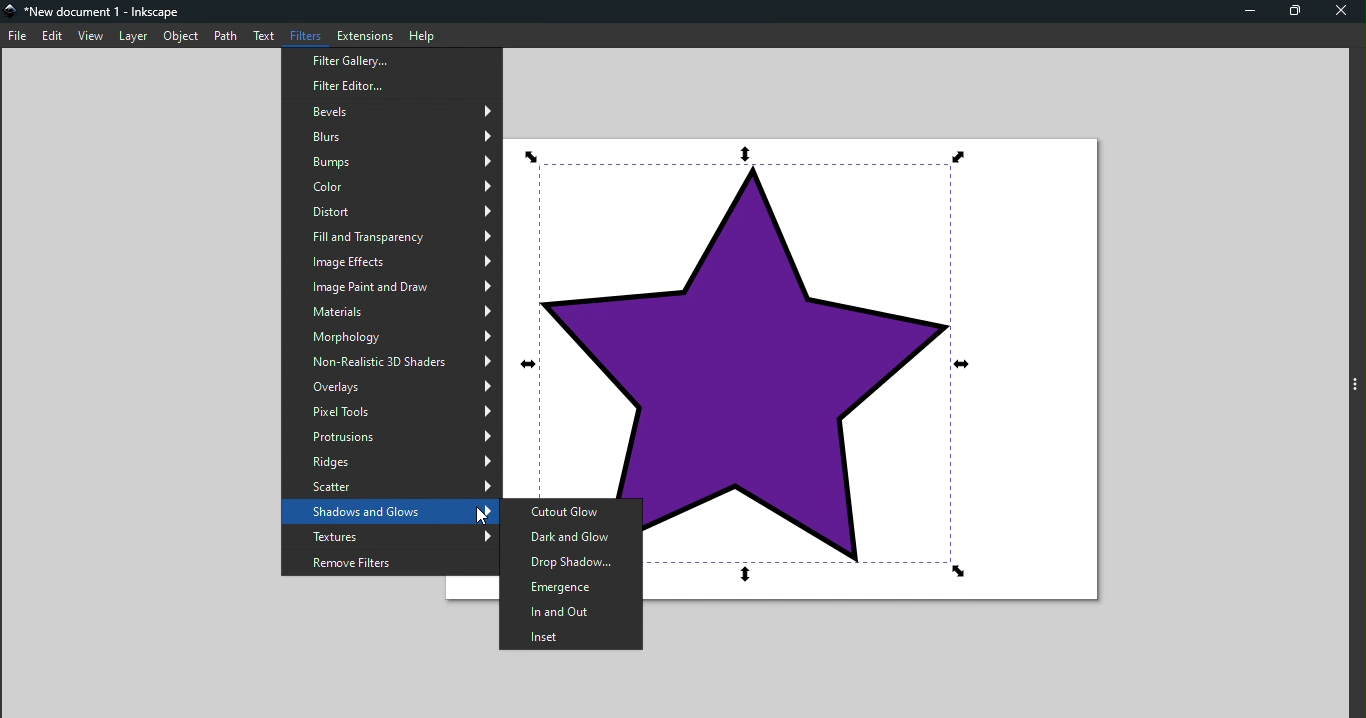 Image resolution: width=1366 pixels, height=718 pixels. What do you see at coordinates (1243, 11) in the screenshot?
I see `Minimize` at bounding box center [1243, 11].